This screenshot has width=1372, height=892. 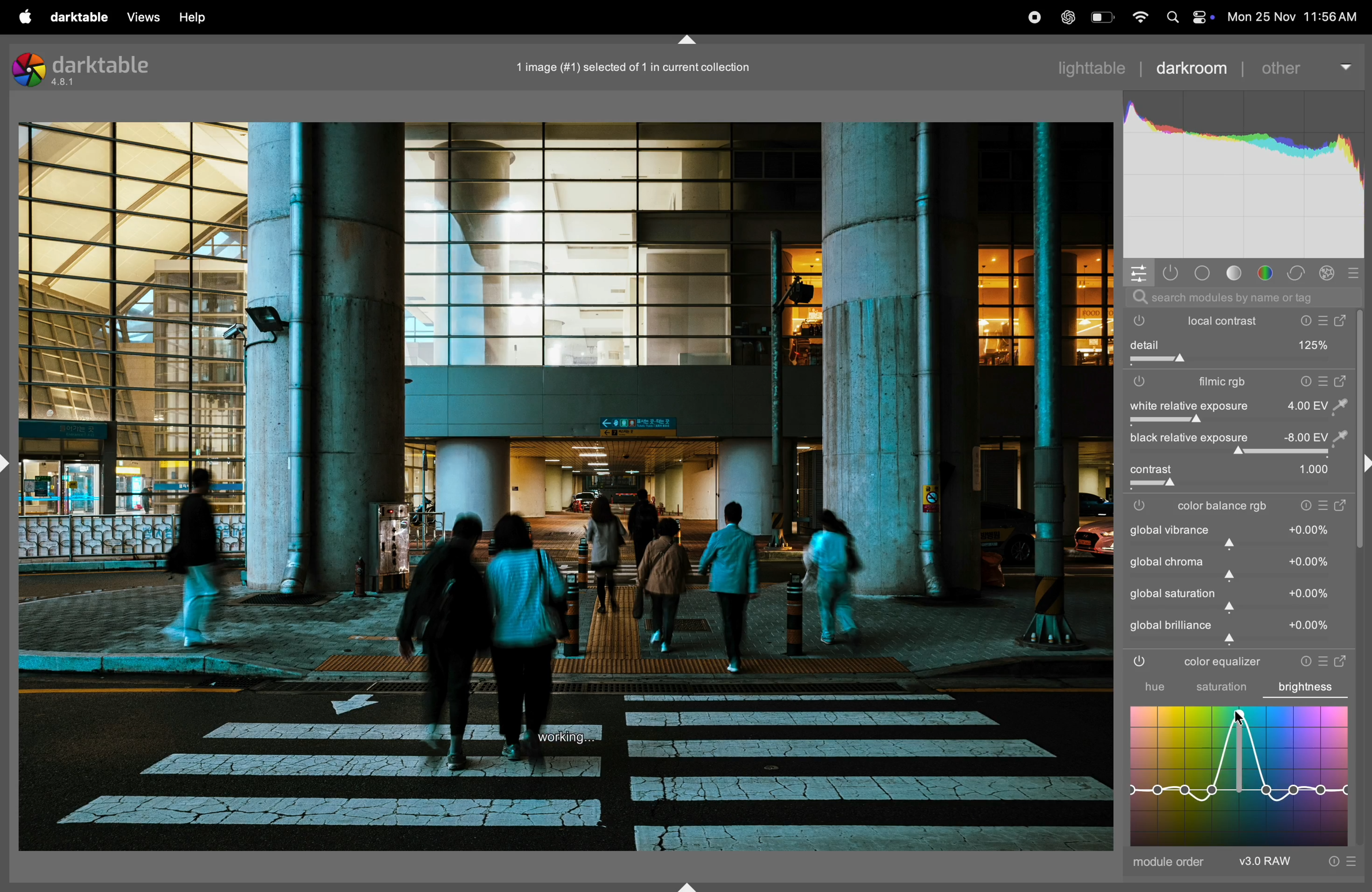 I want to click on reset parameters, so click(x=1305, y=507).